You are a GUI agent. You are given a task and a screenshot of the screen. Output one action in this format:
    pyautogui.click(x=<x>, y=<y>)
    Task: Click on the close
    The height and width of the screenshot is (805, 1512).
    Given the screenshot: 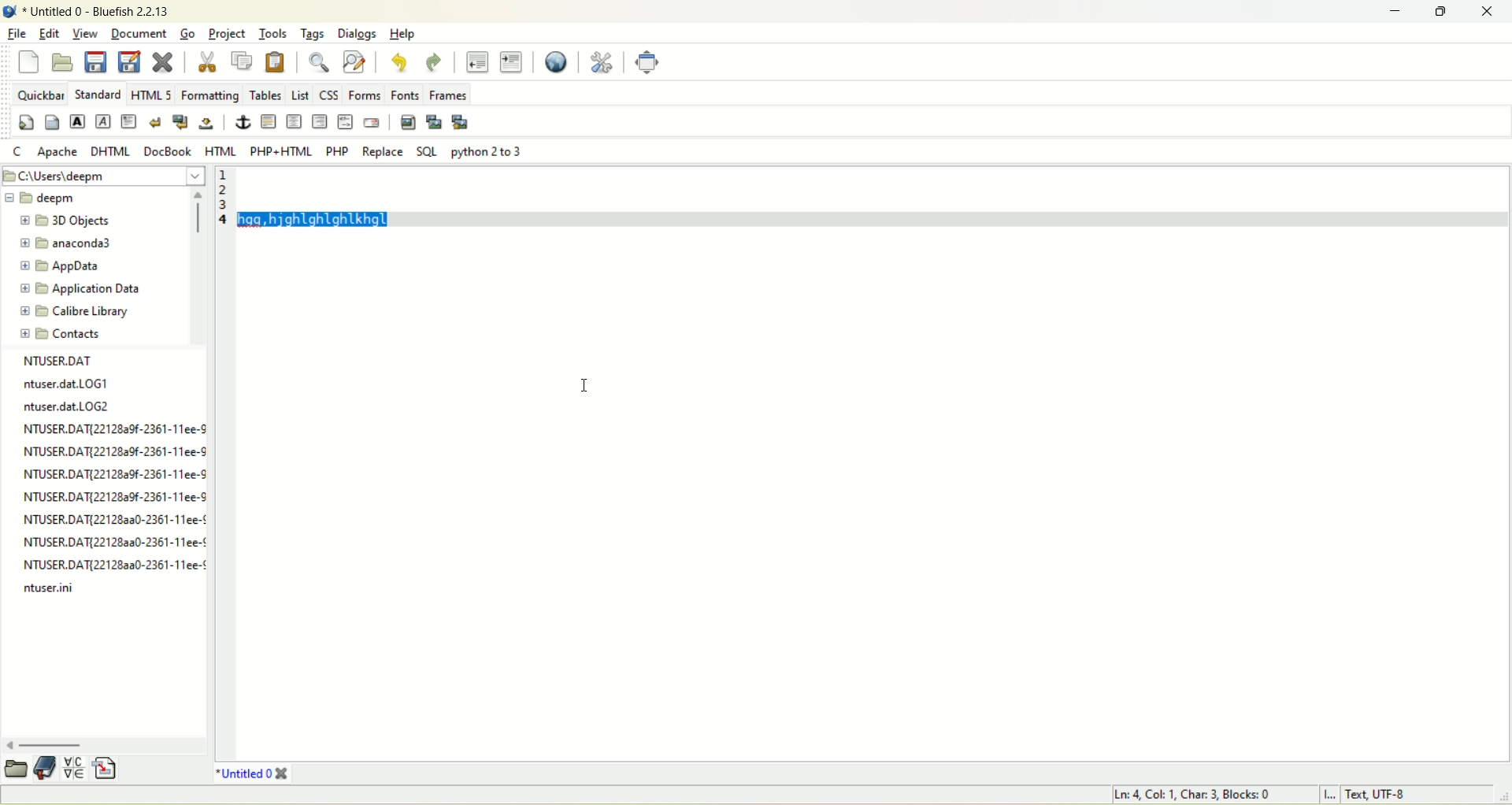 What is the action you would take?
    pyautogui.click(x=163, y=61)
    